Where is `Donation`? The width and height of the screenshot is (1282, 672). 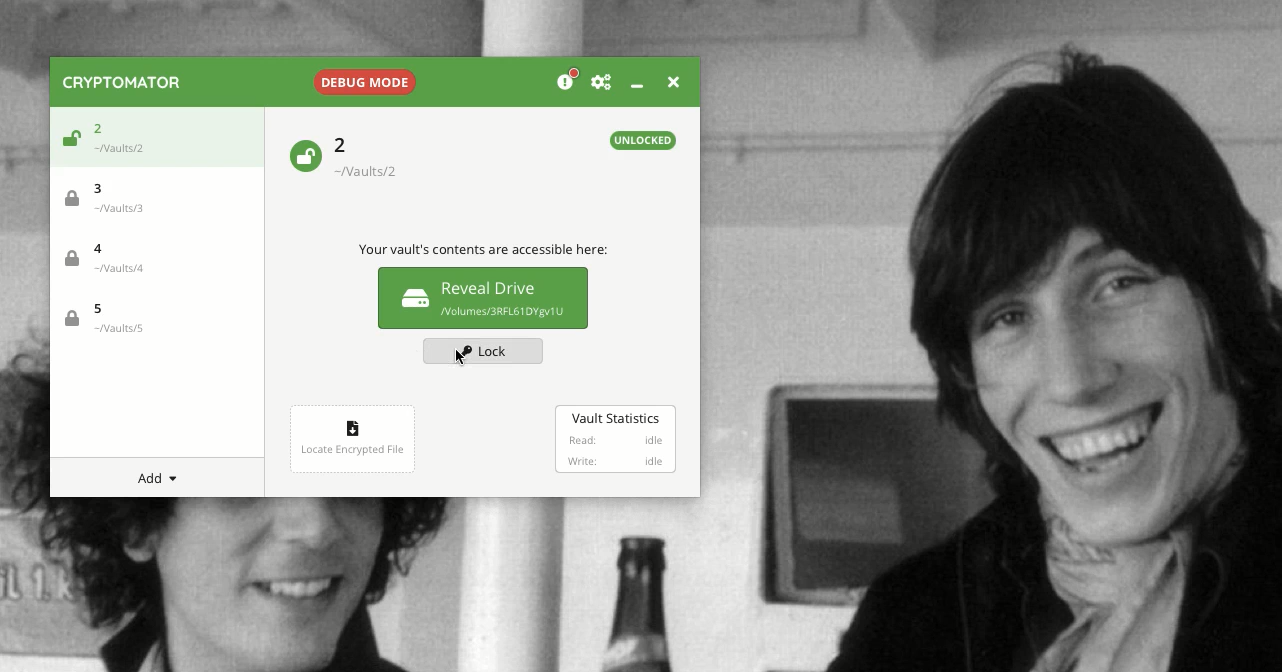 Donation is located at coordinates (568, 81).